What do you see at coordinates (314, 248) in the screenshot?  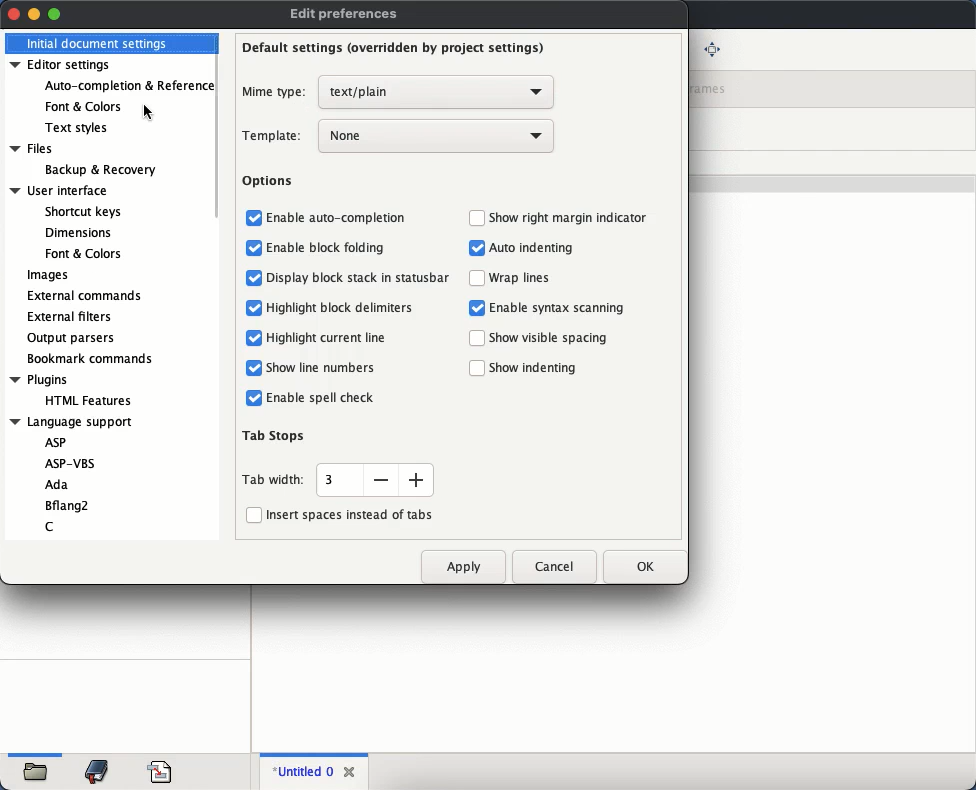 I see `enable block folding` at bounding box center [314, 248].